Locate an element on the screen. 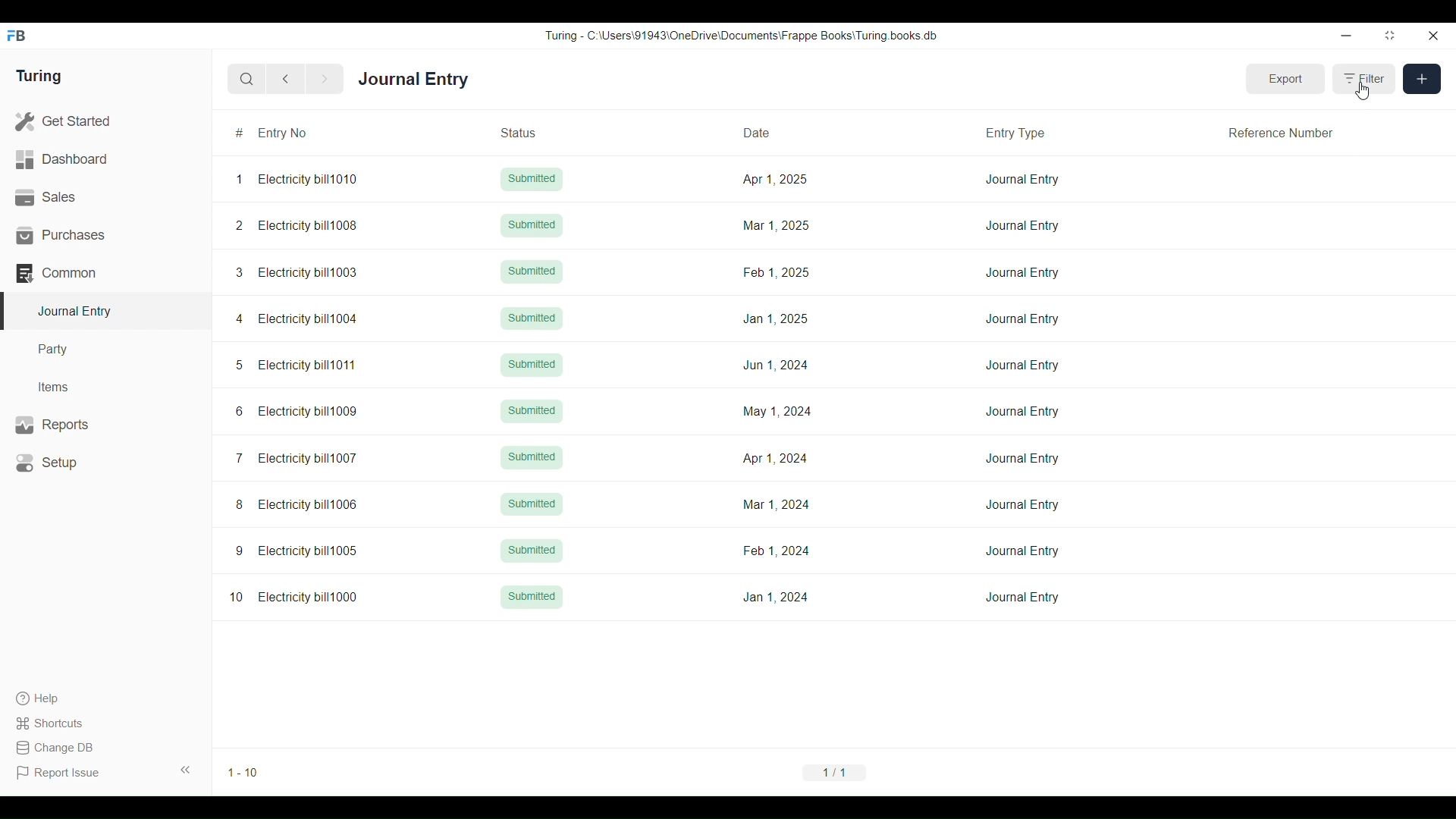 The width and height of the screenshot is (1456, 819). Feb 1, 2025 is located at coordinates (777, 271).